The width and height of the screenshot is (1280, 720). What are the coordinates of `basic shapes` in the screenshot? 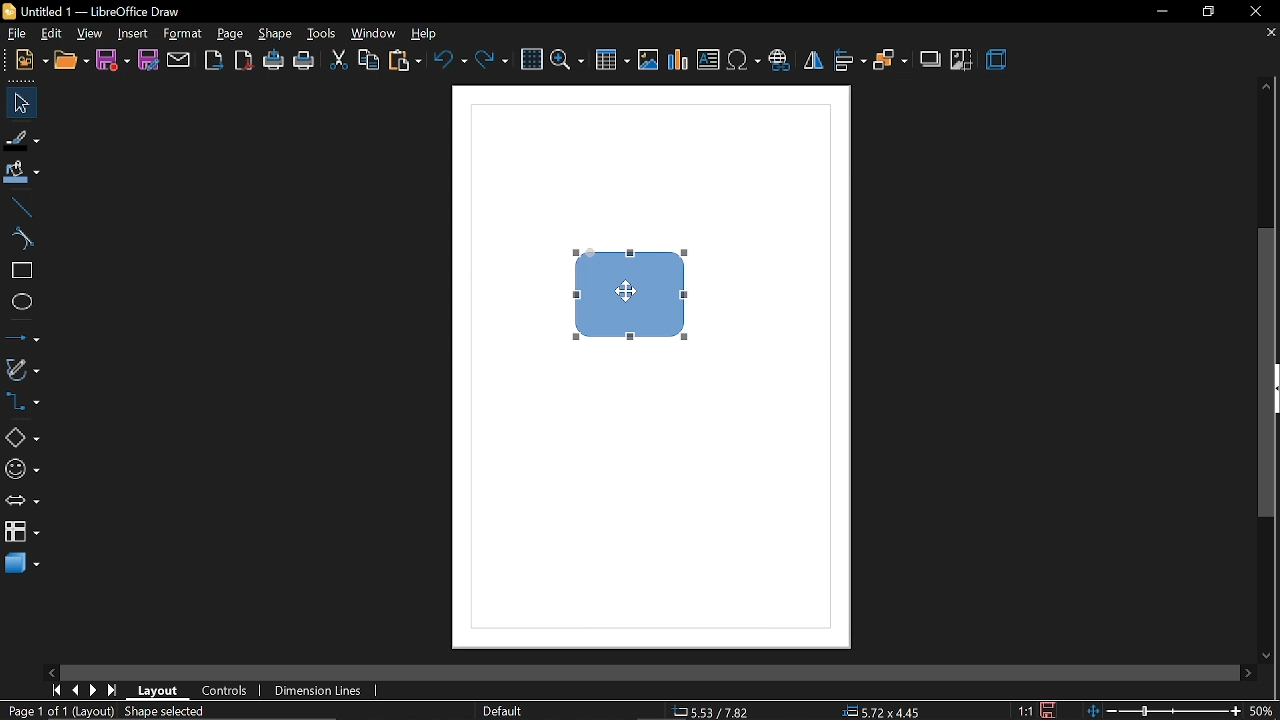 It's located at (21, 435).